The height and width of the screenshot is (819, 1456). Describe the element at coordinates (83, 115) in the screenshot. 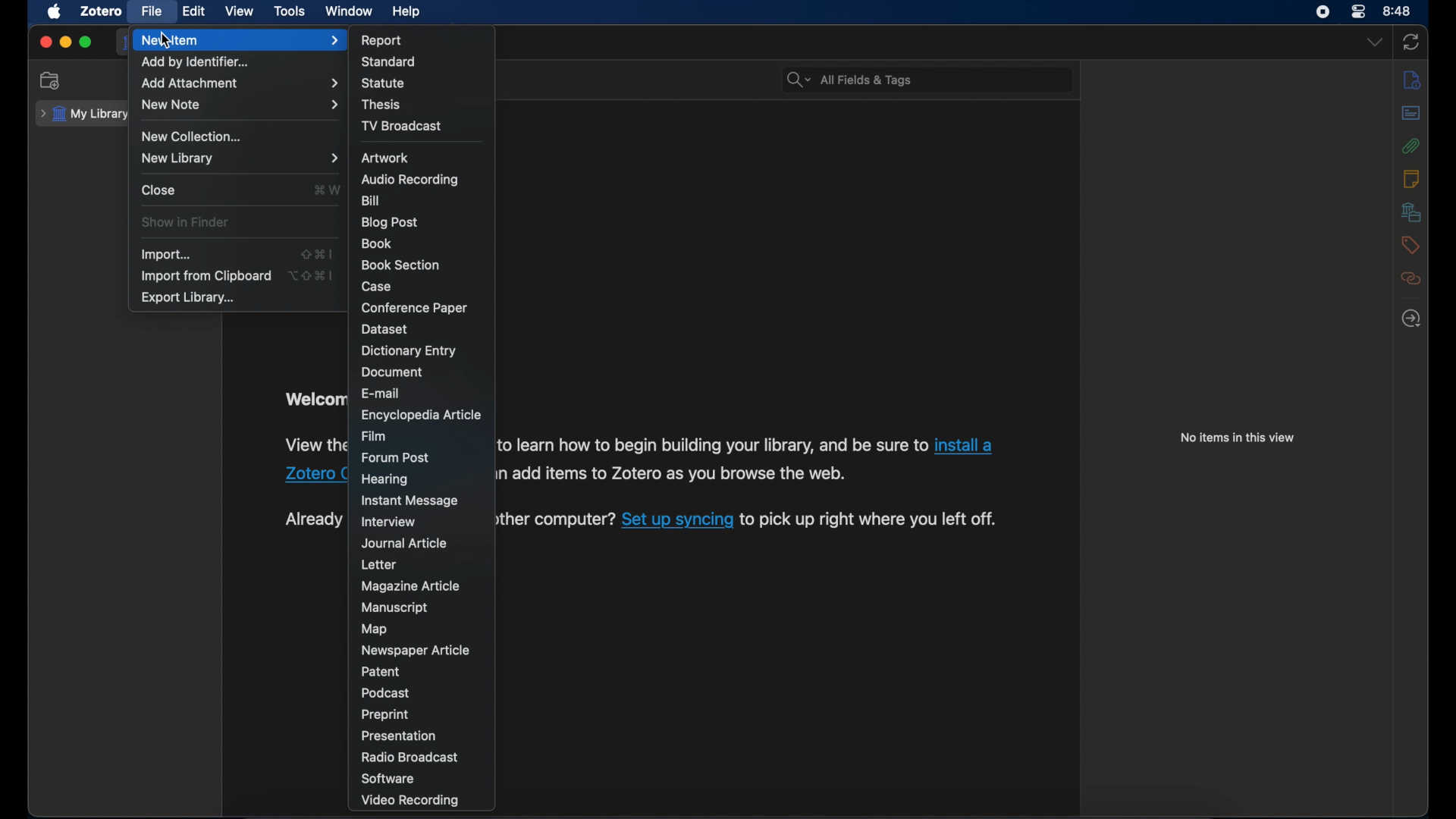

I see `my library` at that location.